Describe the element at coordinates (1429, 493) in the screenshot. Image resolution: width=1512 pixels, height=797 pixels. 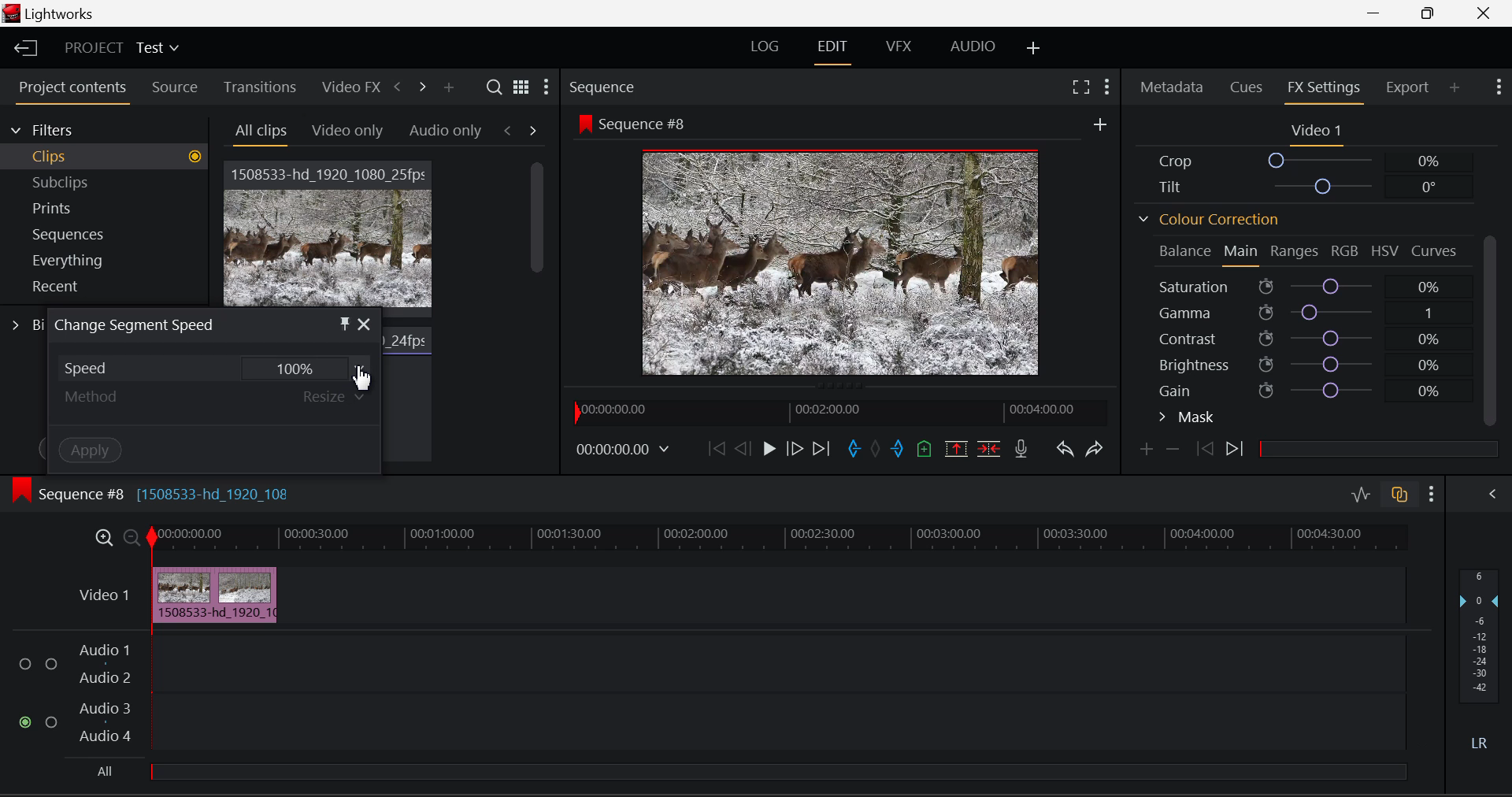
I see `Show Settings` at that location.